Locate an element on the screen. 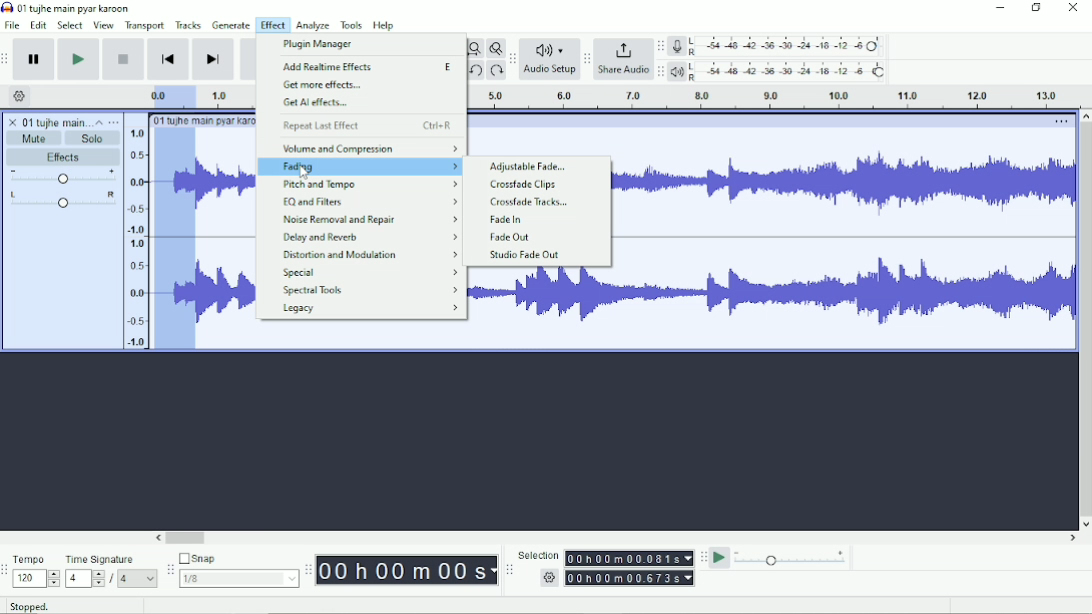 Image resolution: width=1092 pixels, height=614 pixels. Audacity snapping toolbar is located at coordinates (169, 569).